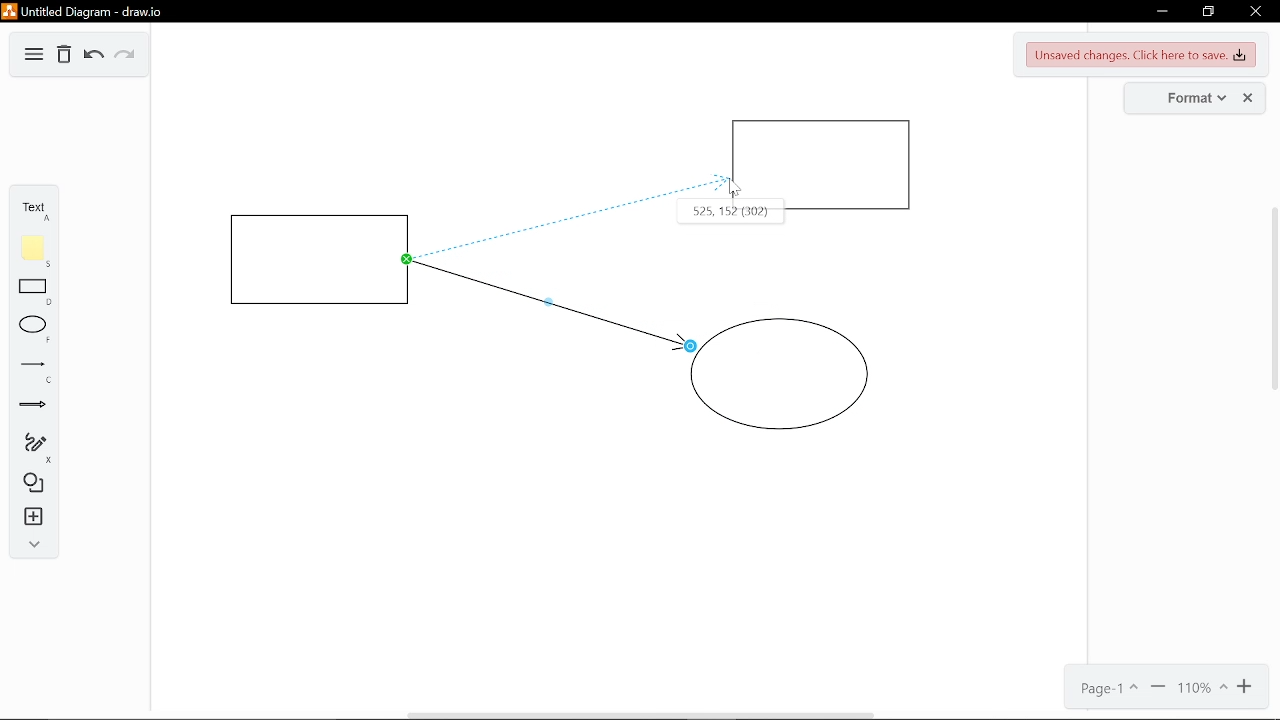 This screenshot has height=720, width=1280. I want to click on Line, so click(34, 371).